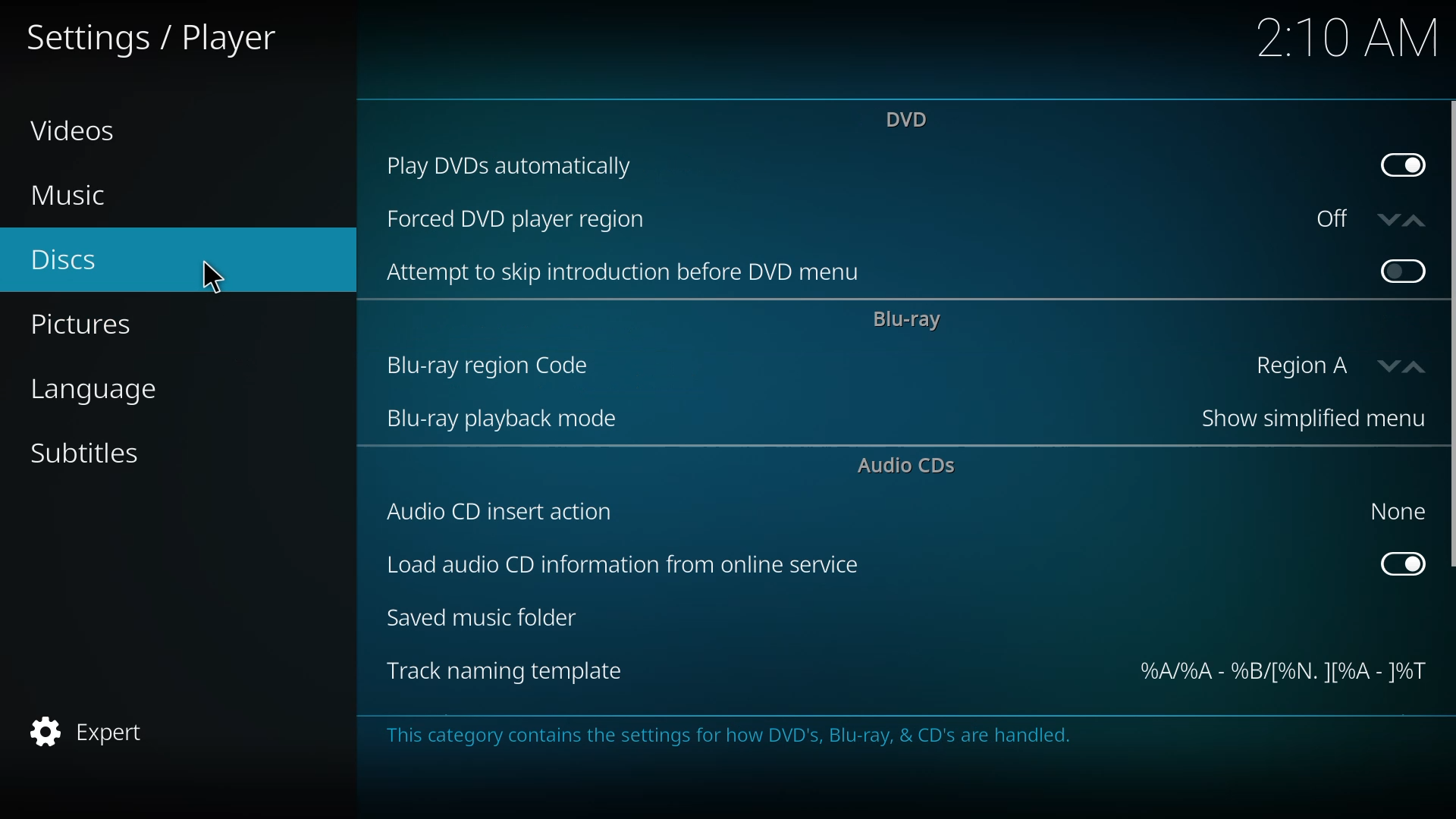  Describe the element at coordinates (517, 163) in the screenshot. I see `play dvds automatically` at that location.